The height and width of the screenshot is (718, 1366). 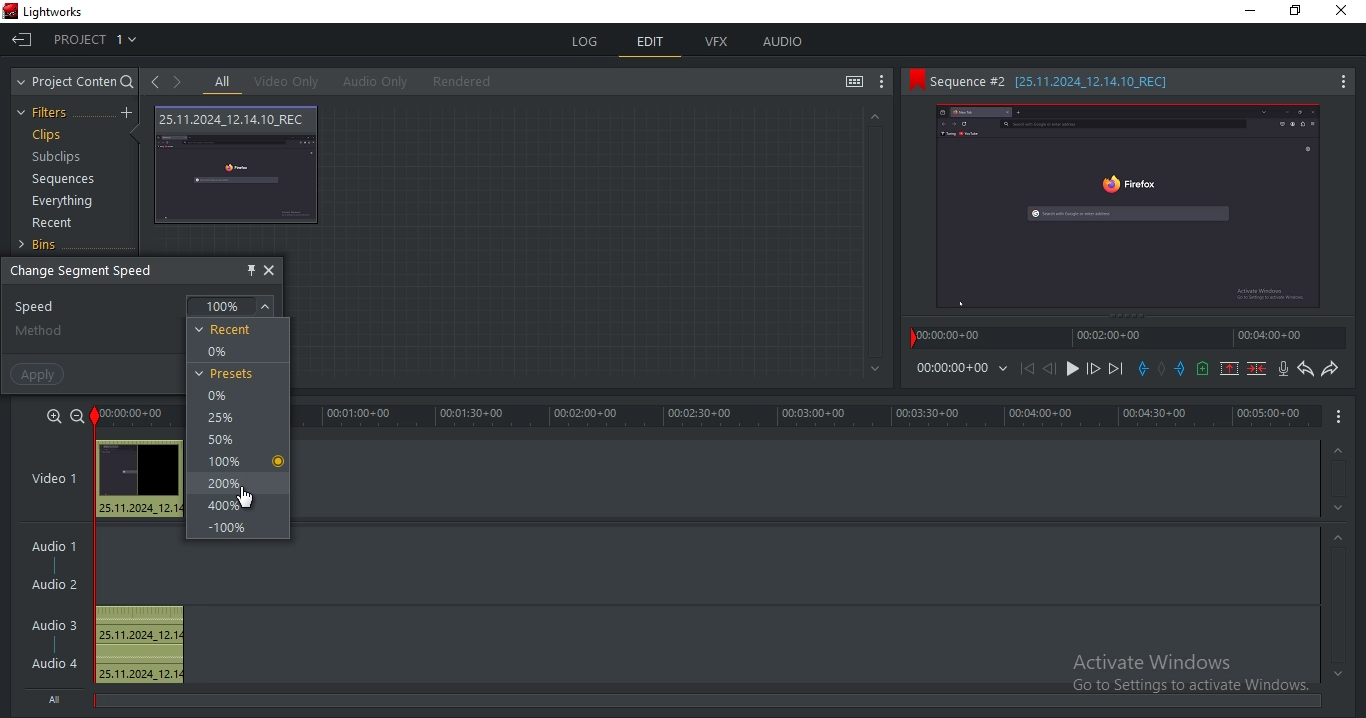 I want to click on recent, so click(x=55, y=225).